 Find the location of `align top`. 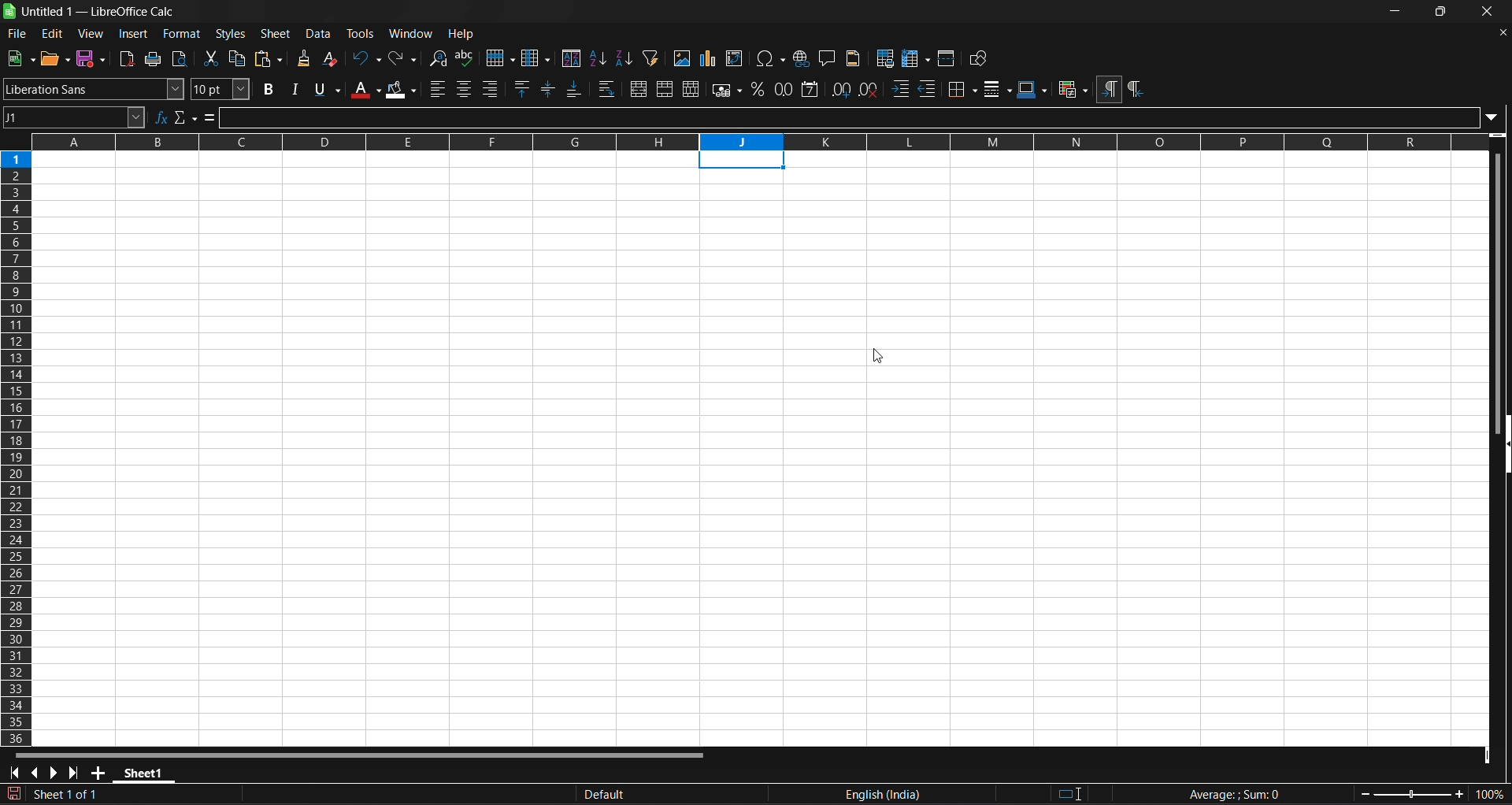

align top is located at coordinates (523, 89).